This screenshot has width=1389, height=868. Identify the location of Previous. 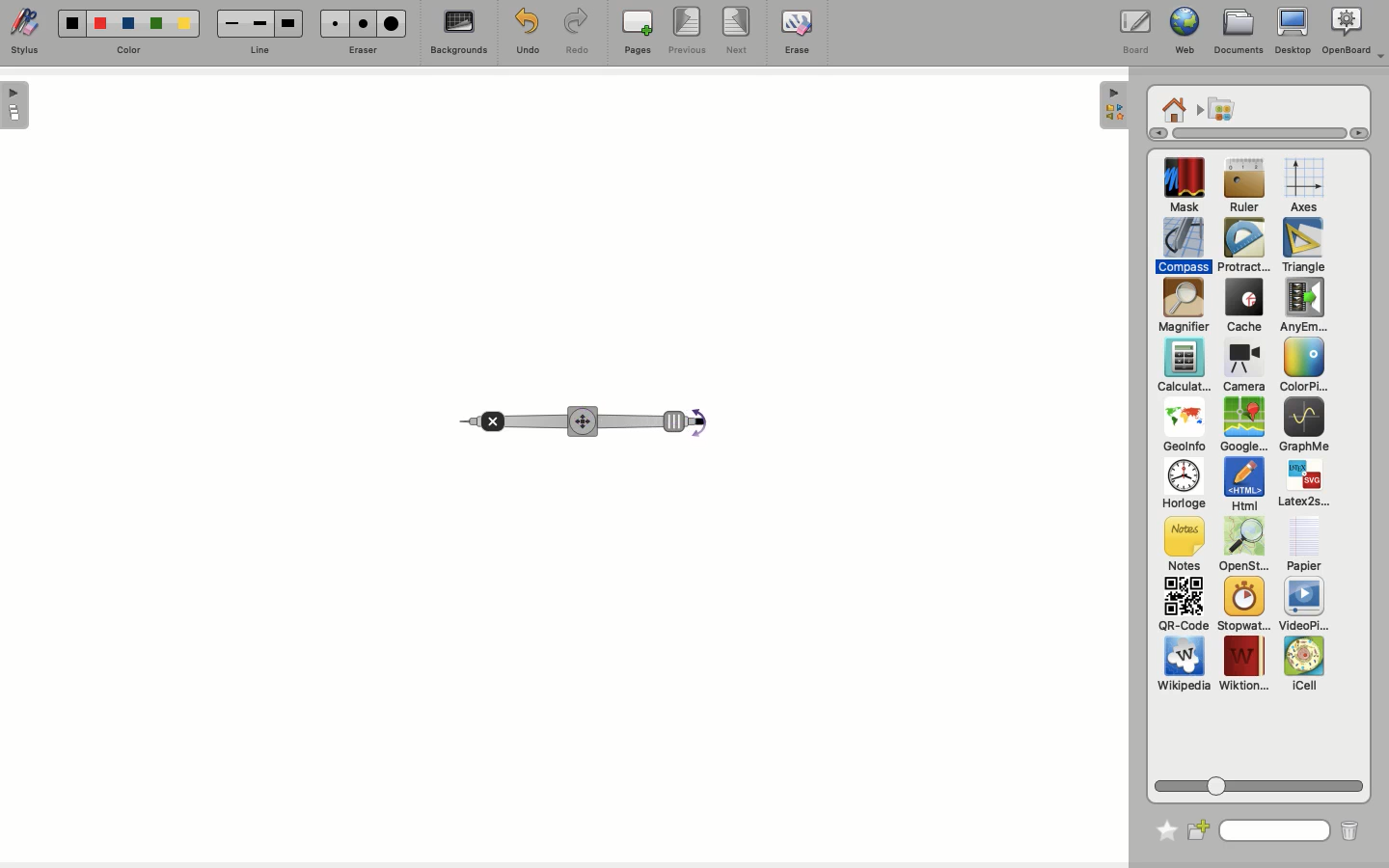
(687, 32).